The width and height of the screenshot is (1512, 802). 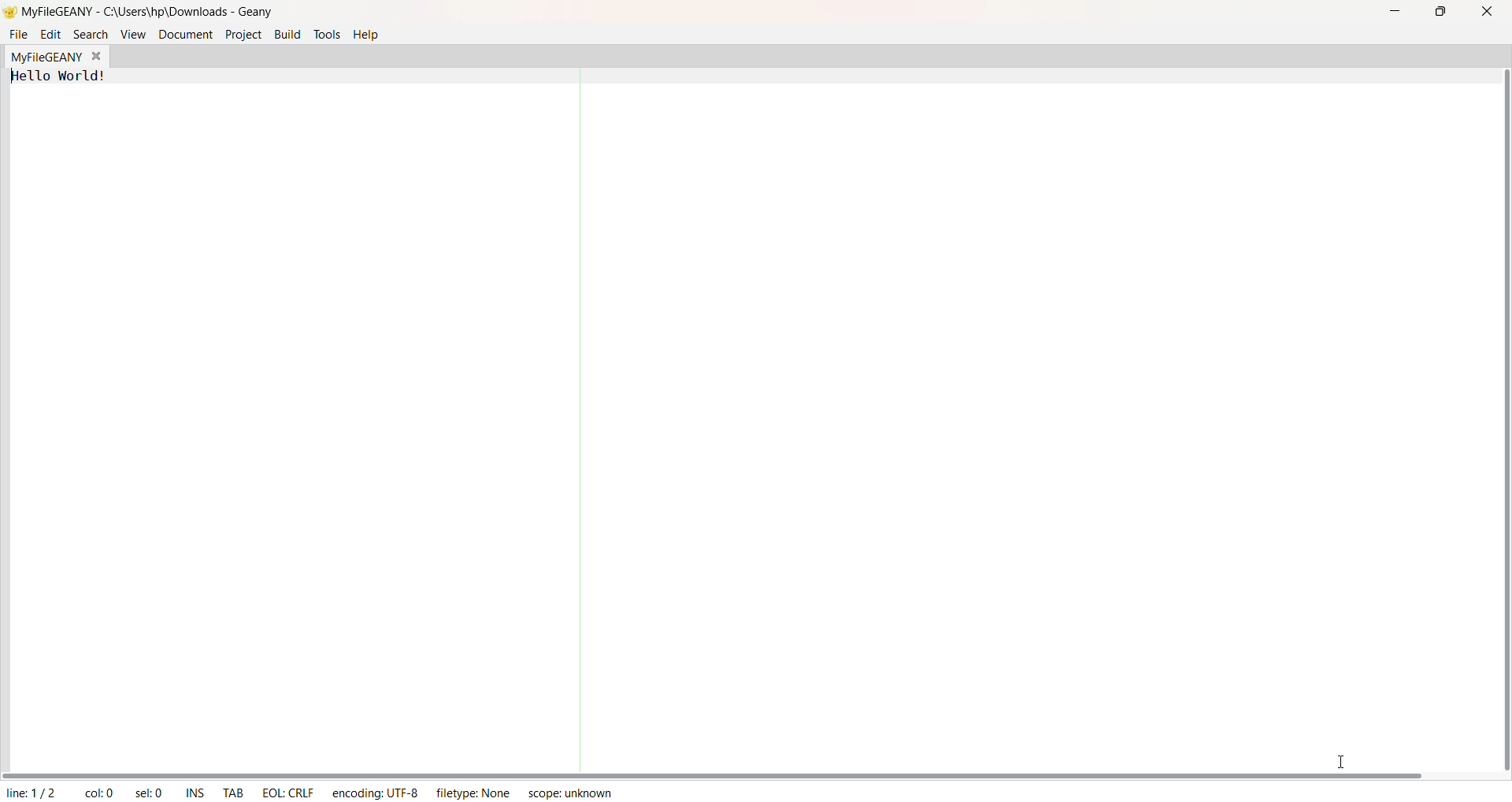 I want to click on Vertical Scroll Bar, so click(x=1499, y=419).